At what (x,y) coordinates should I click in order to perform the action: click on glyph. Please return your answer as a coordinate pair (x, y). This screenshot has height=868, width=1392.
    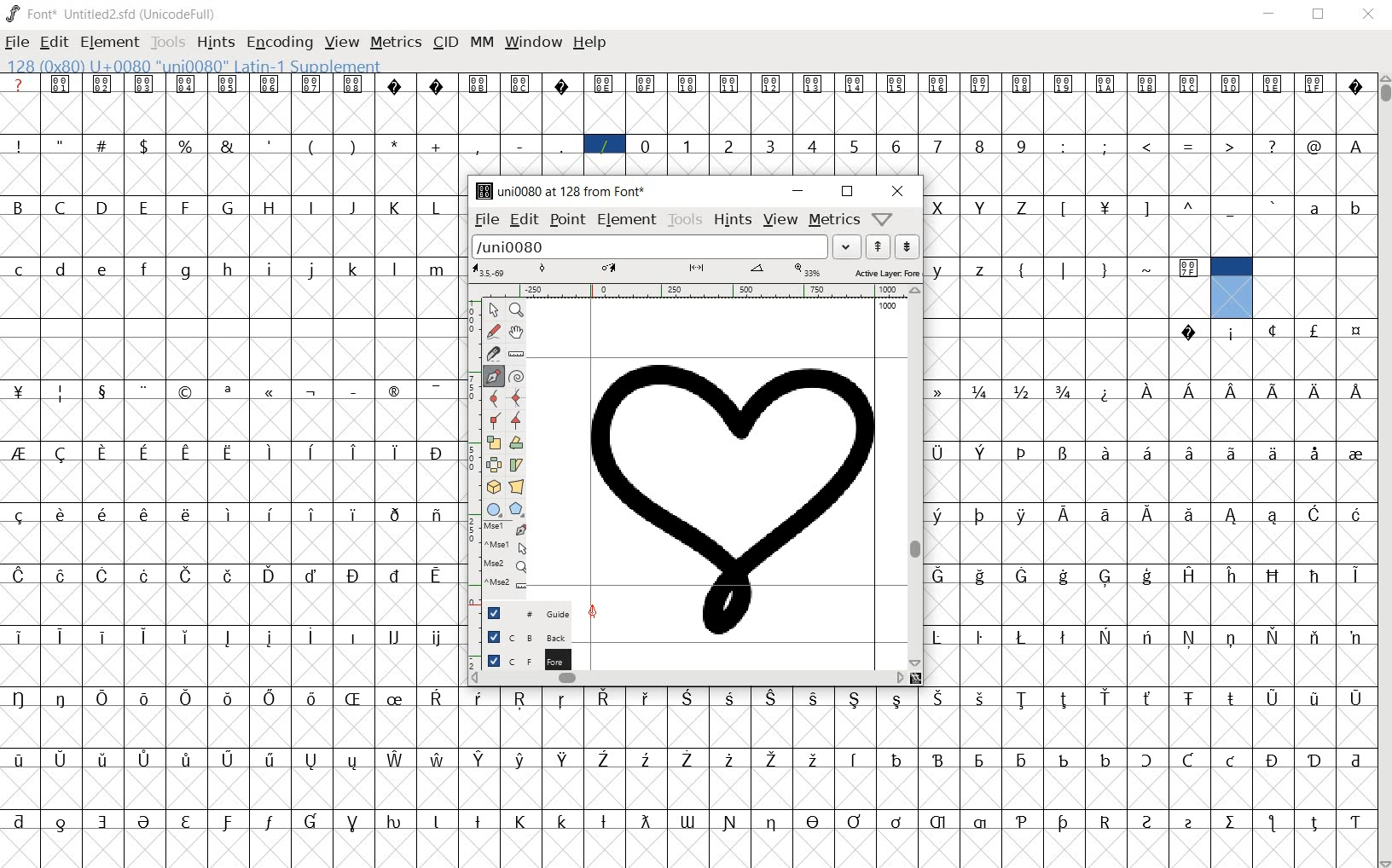
    Looking at the image, I should click on (1314, 824).